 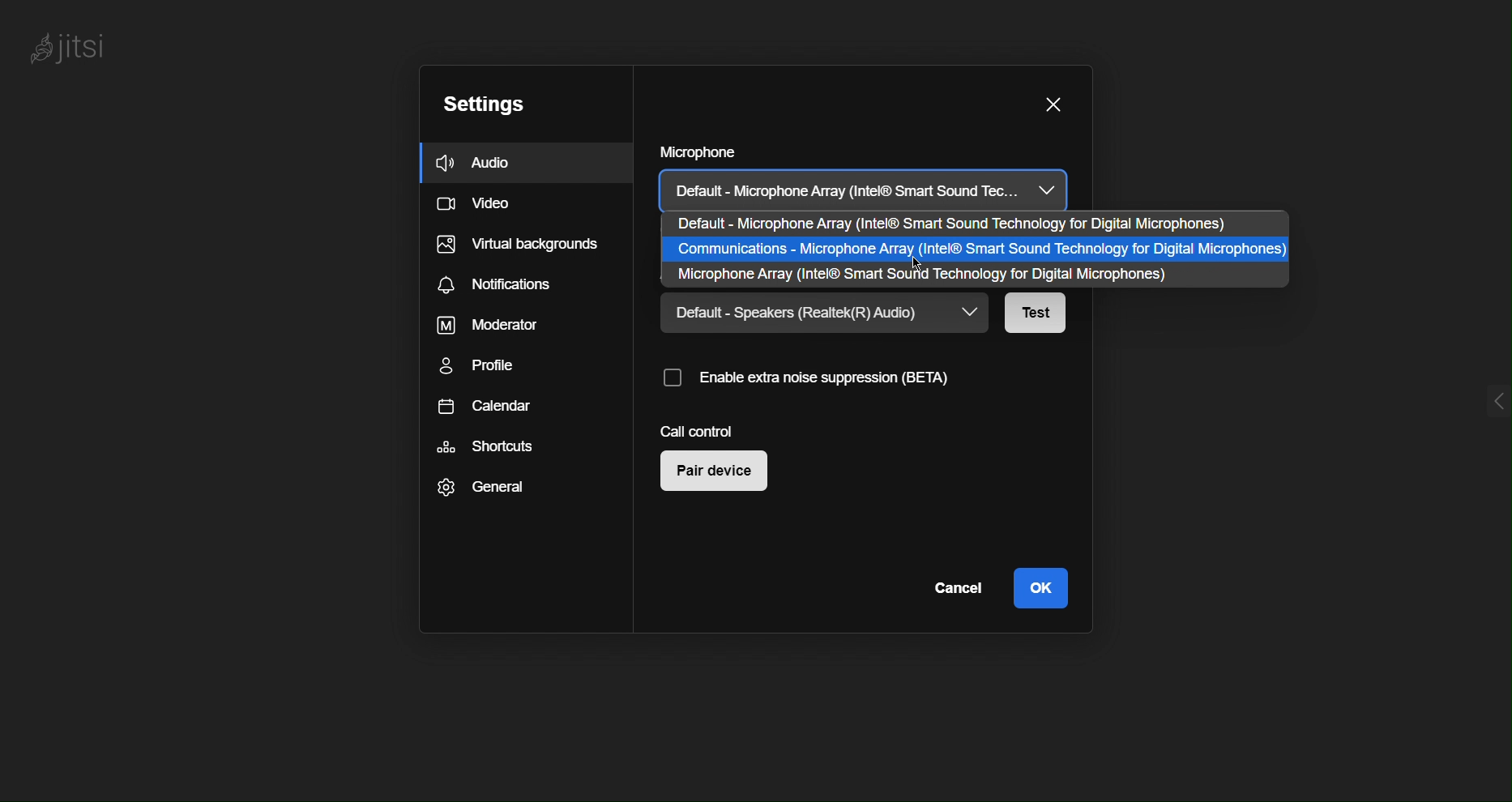 I want to click on General, so click(x=487, y=493).